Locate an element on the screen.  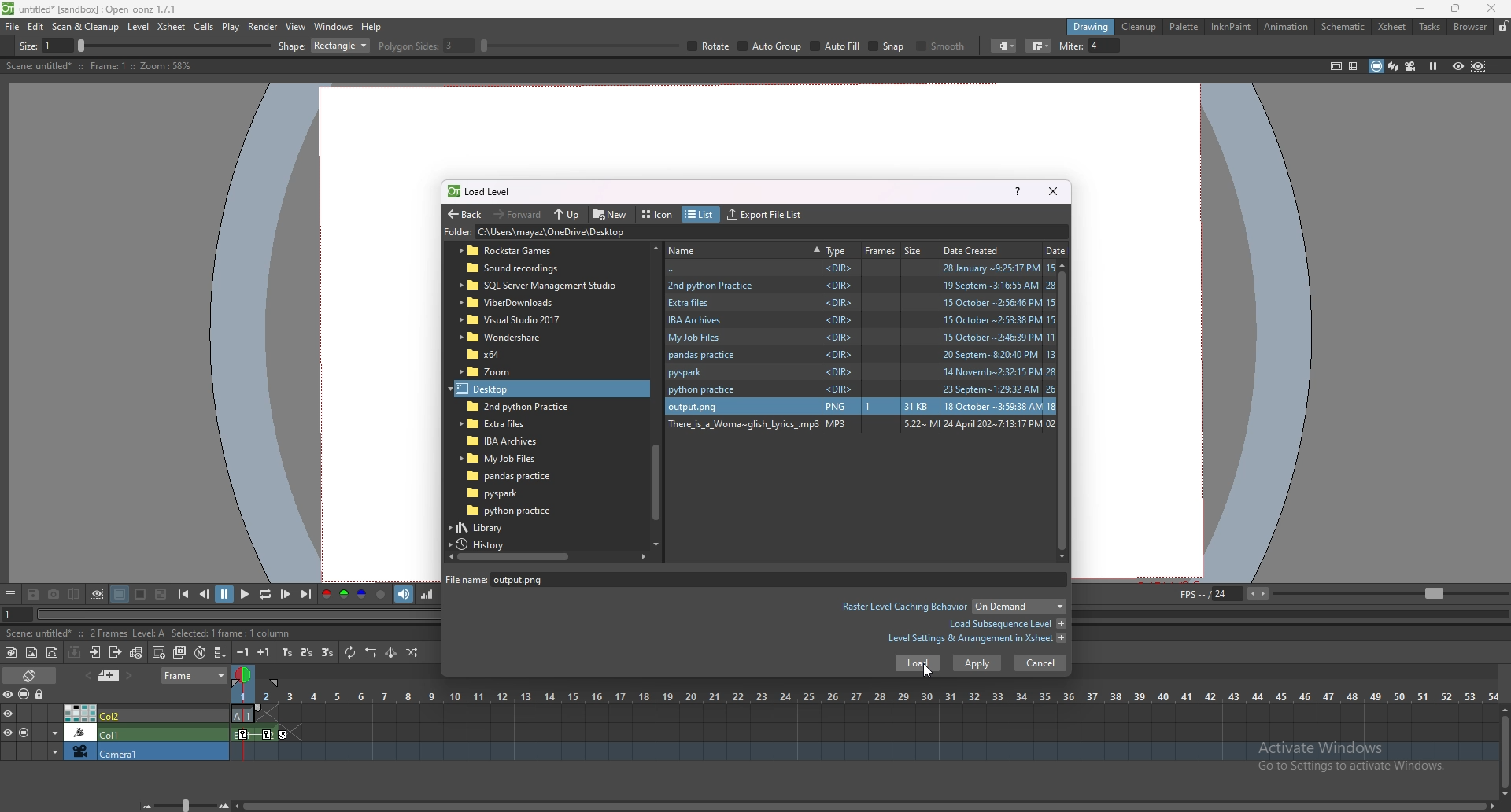
folder is located at coordinates (506, 423).